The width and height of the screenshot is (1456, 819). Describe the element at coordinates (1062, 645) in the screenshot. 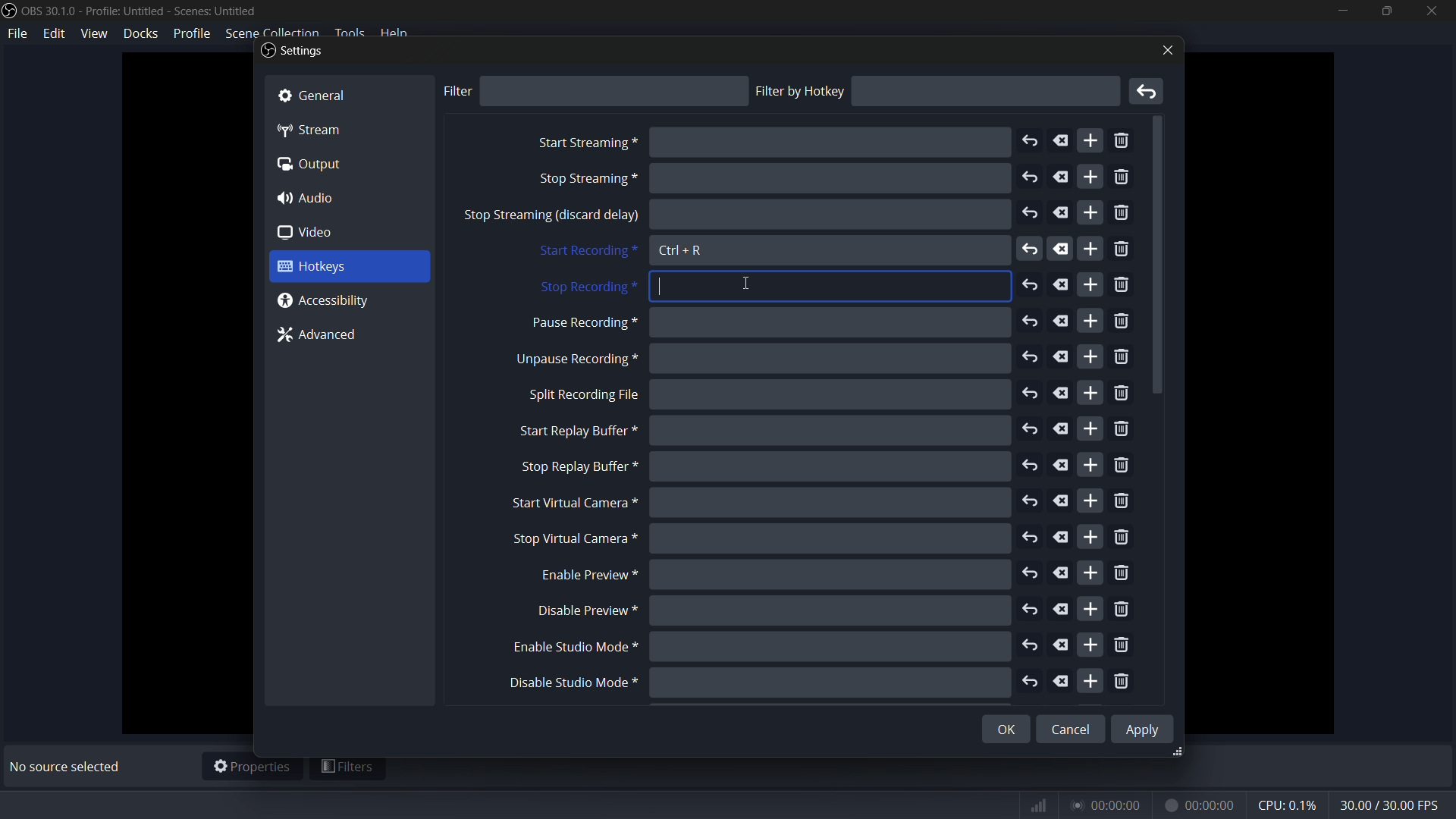

I see `delete` at that location.